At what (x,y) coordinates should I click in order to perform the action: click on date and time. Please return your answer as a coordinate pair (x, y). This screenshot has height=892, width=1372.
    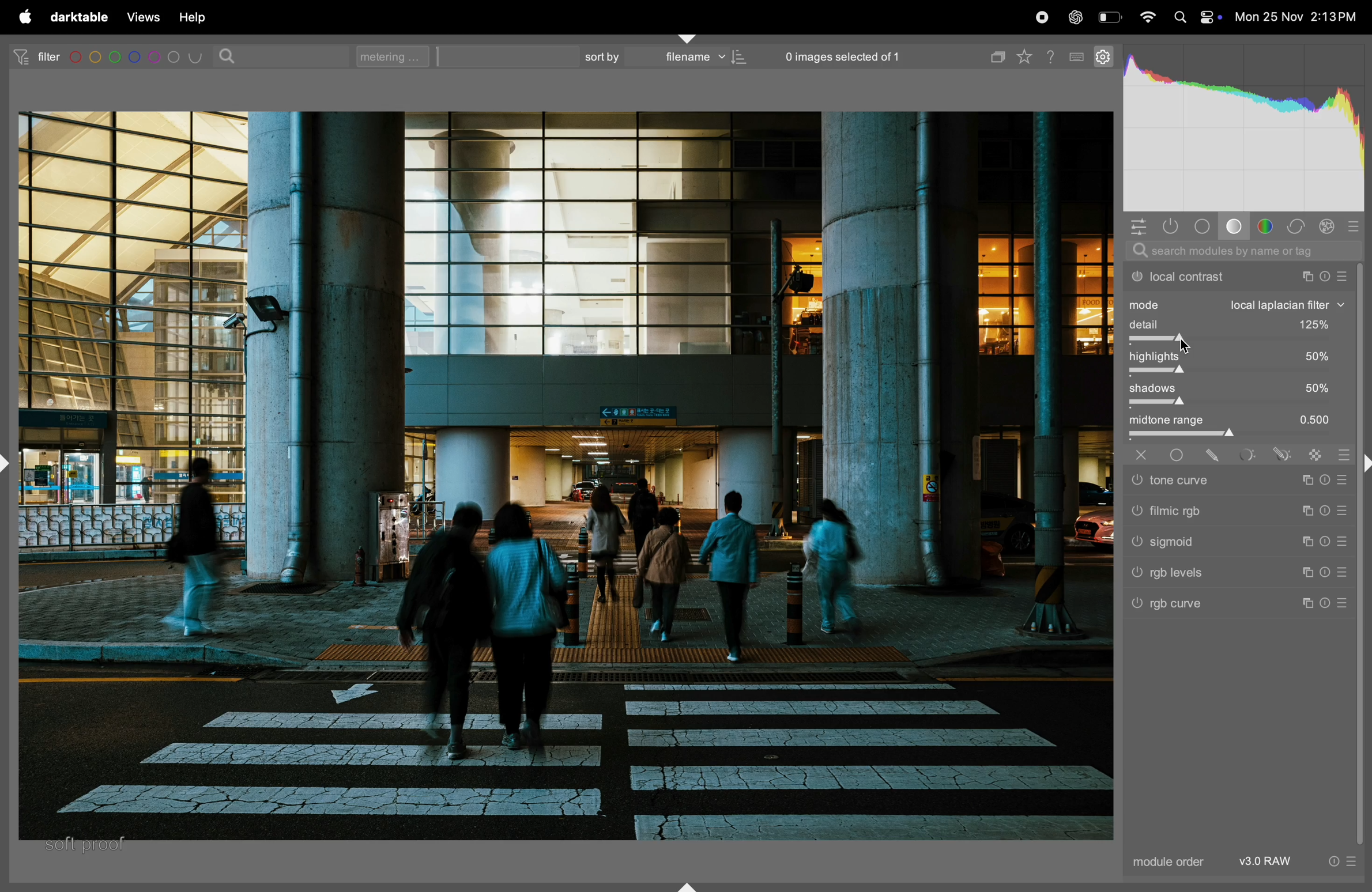
    Looking at the image, I should click on (1298, 17).